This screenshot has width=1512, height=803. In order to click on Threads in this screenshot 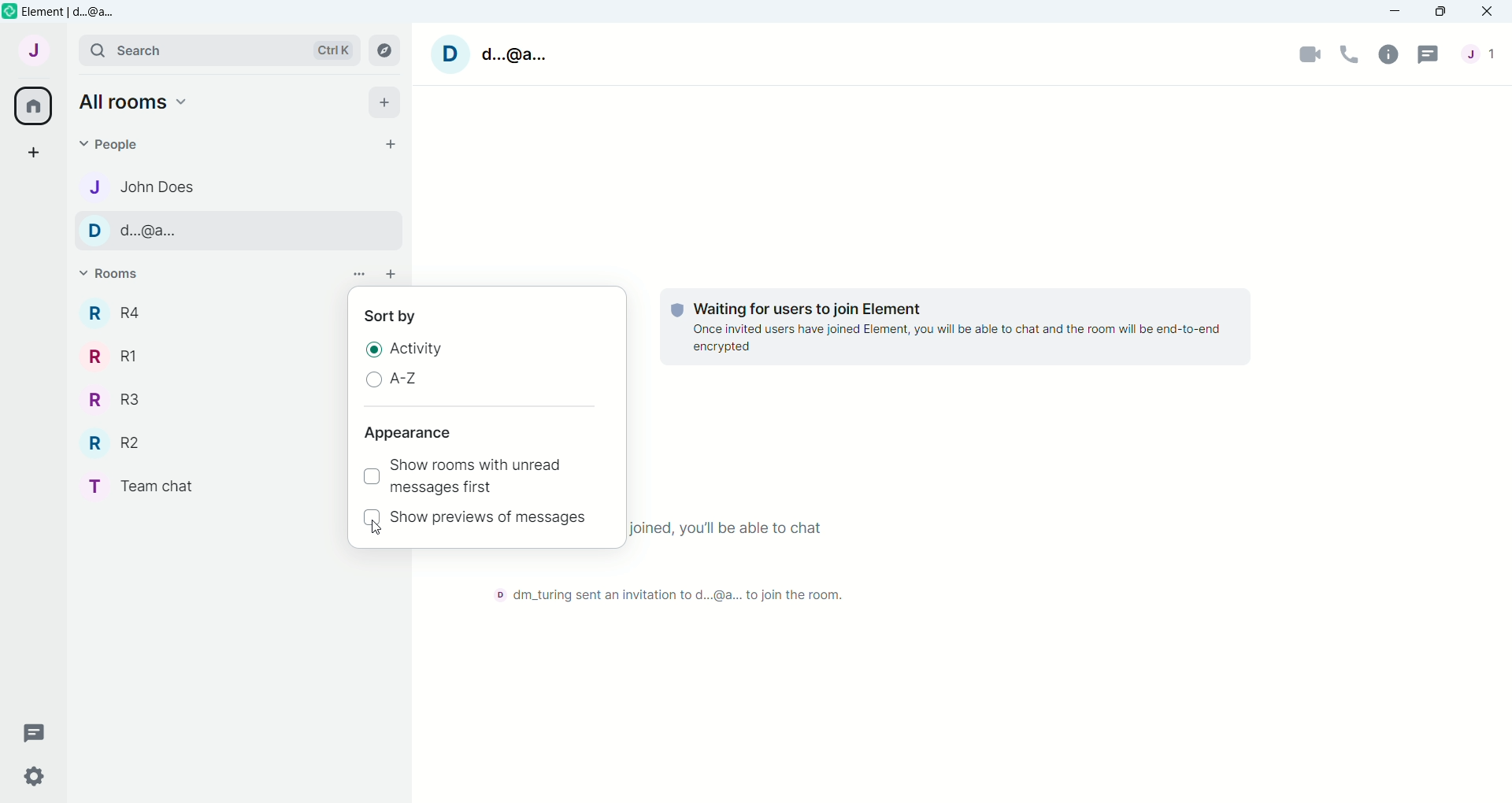, I will do `click(28, 736)`.